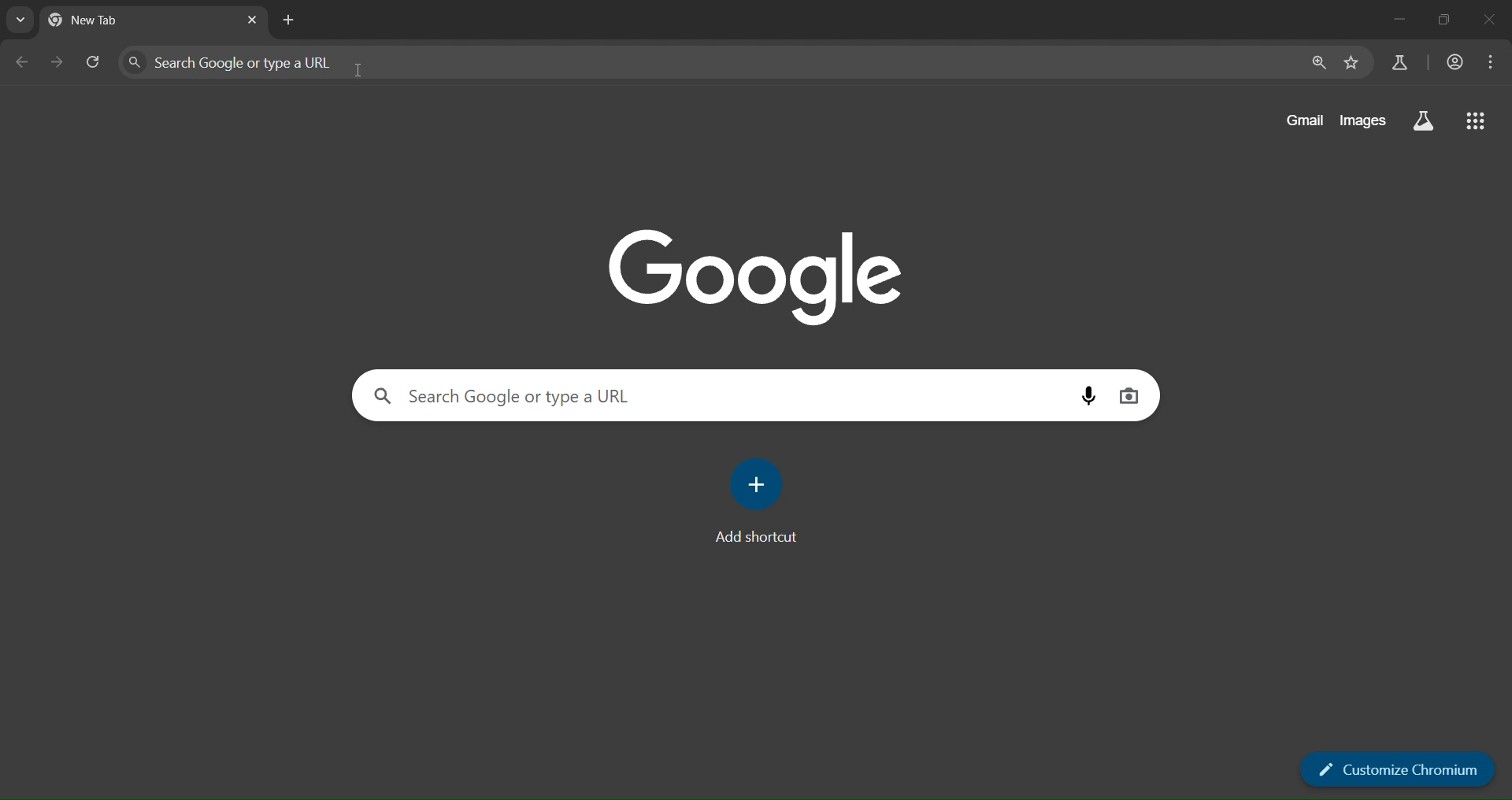 The width and height of the screenshot is (1512, 800). I want to click on add shortcut, so click(762, 499).